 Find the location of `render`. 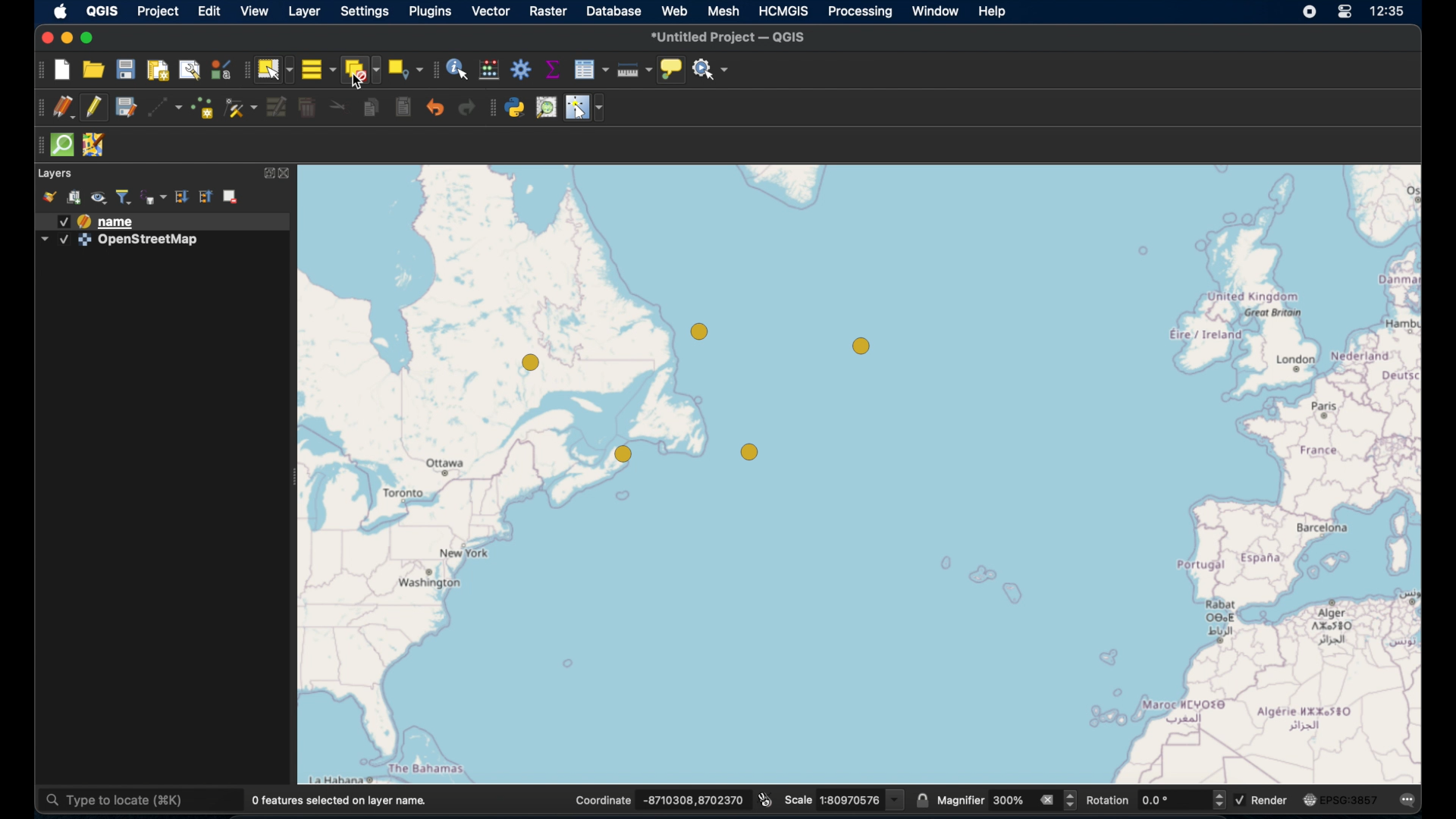

render is located at coordinates (1271, 799).